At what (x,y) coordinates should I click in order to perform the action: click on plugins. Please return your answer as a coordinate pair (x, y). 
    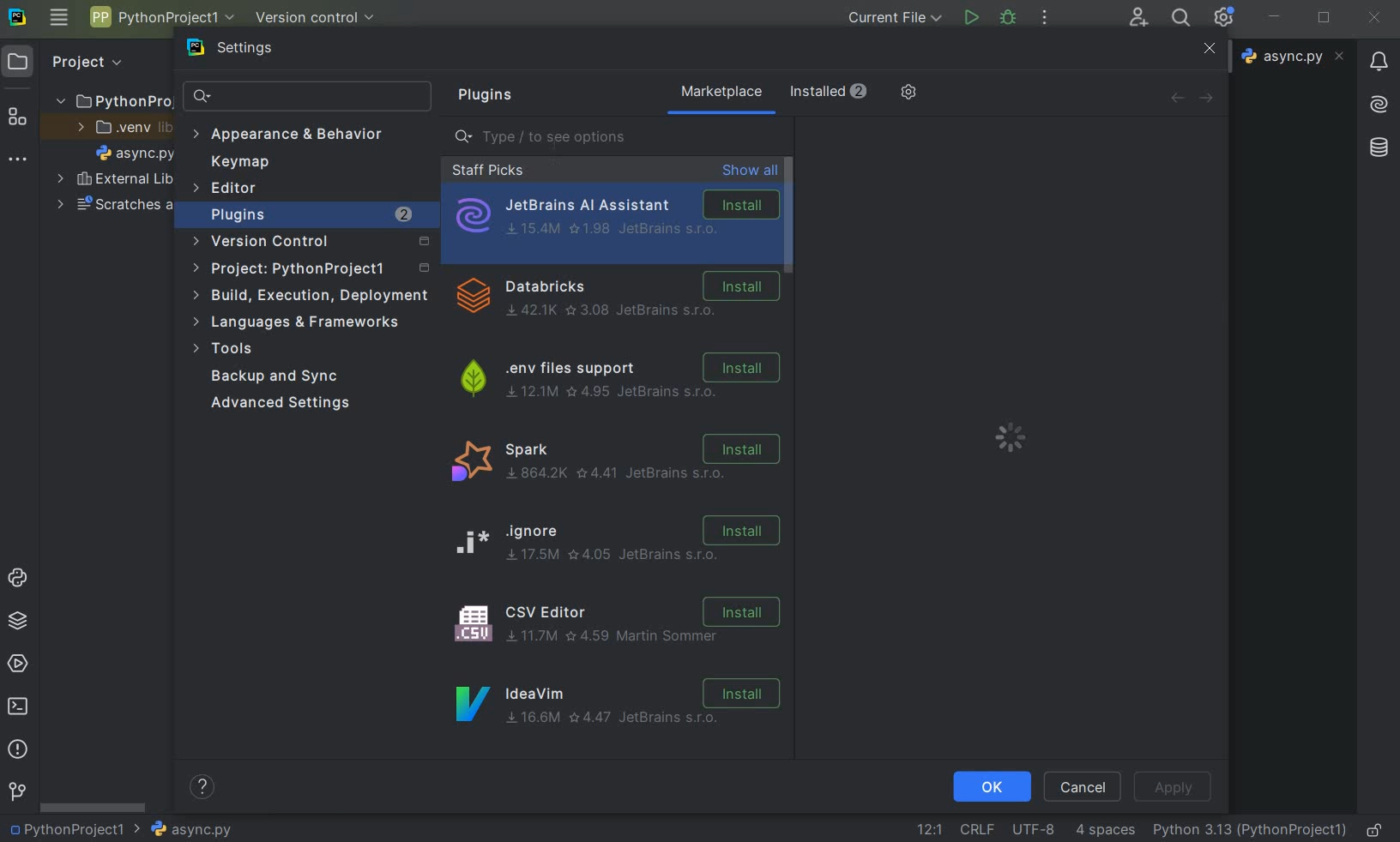
    Looking at the image, I should click on (312, 215).